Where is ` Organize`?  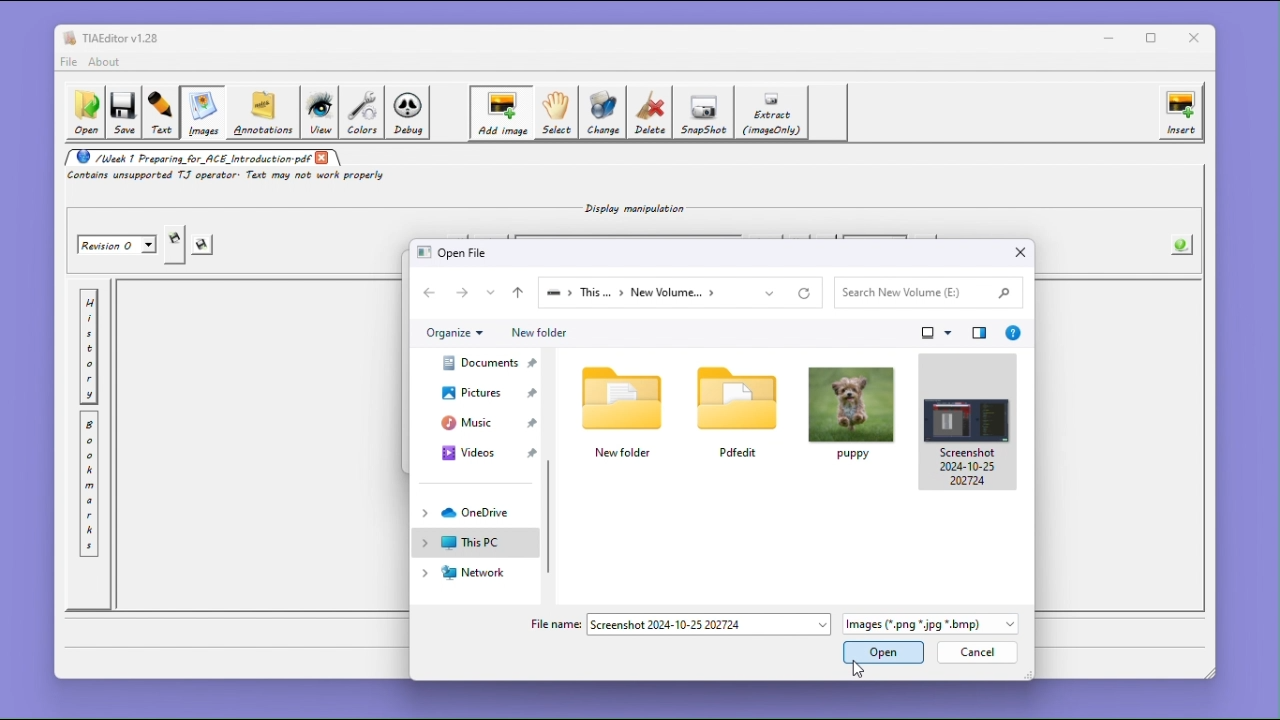  Organize is located at coordinates (454, 333).